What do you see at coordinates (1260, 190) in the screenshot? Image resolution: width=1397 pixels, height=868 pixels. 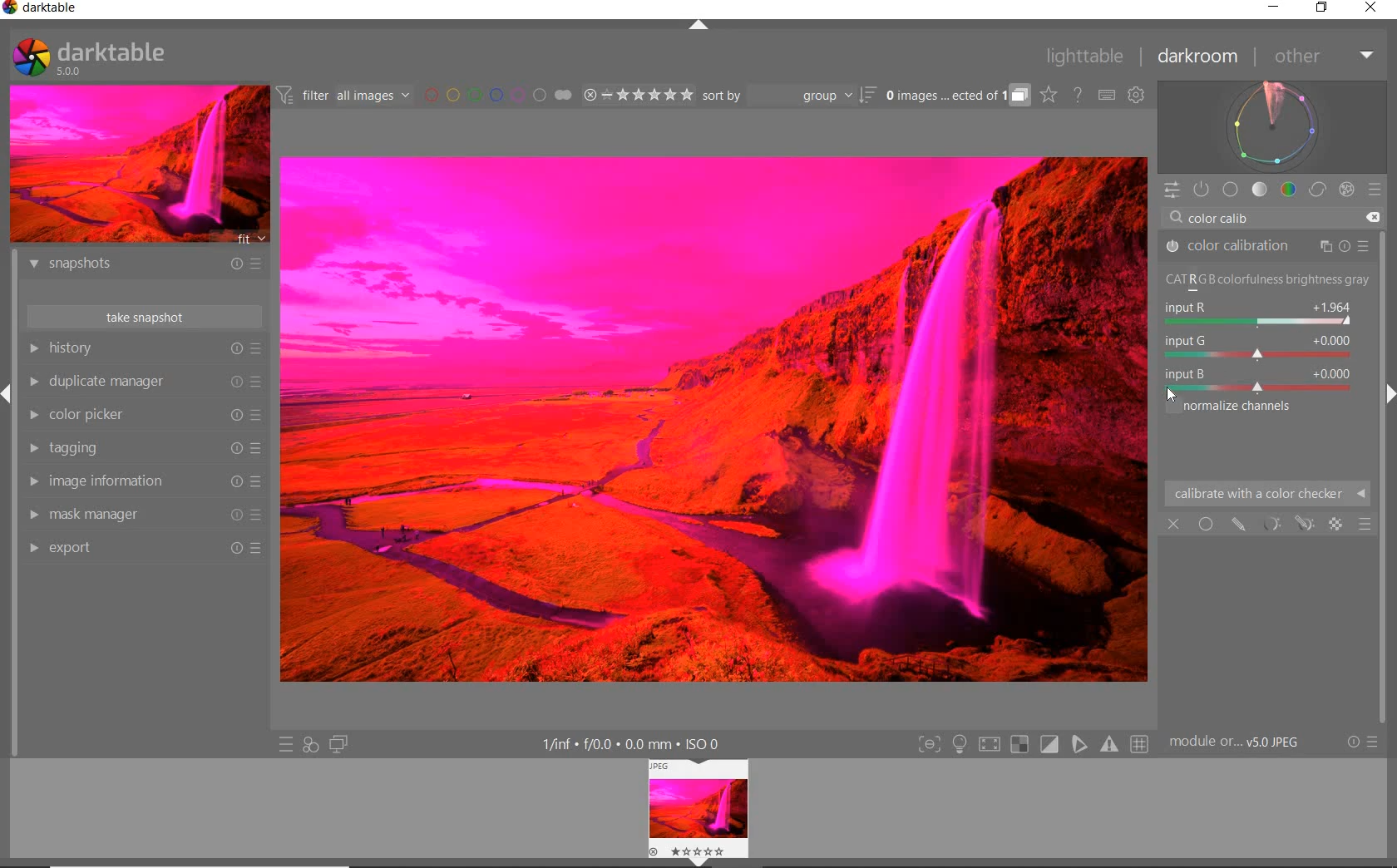 I see `tone` at bounding box center [1260, 190].